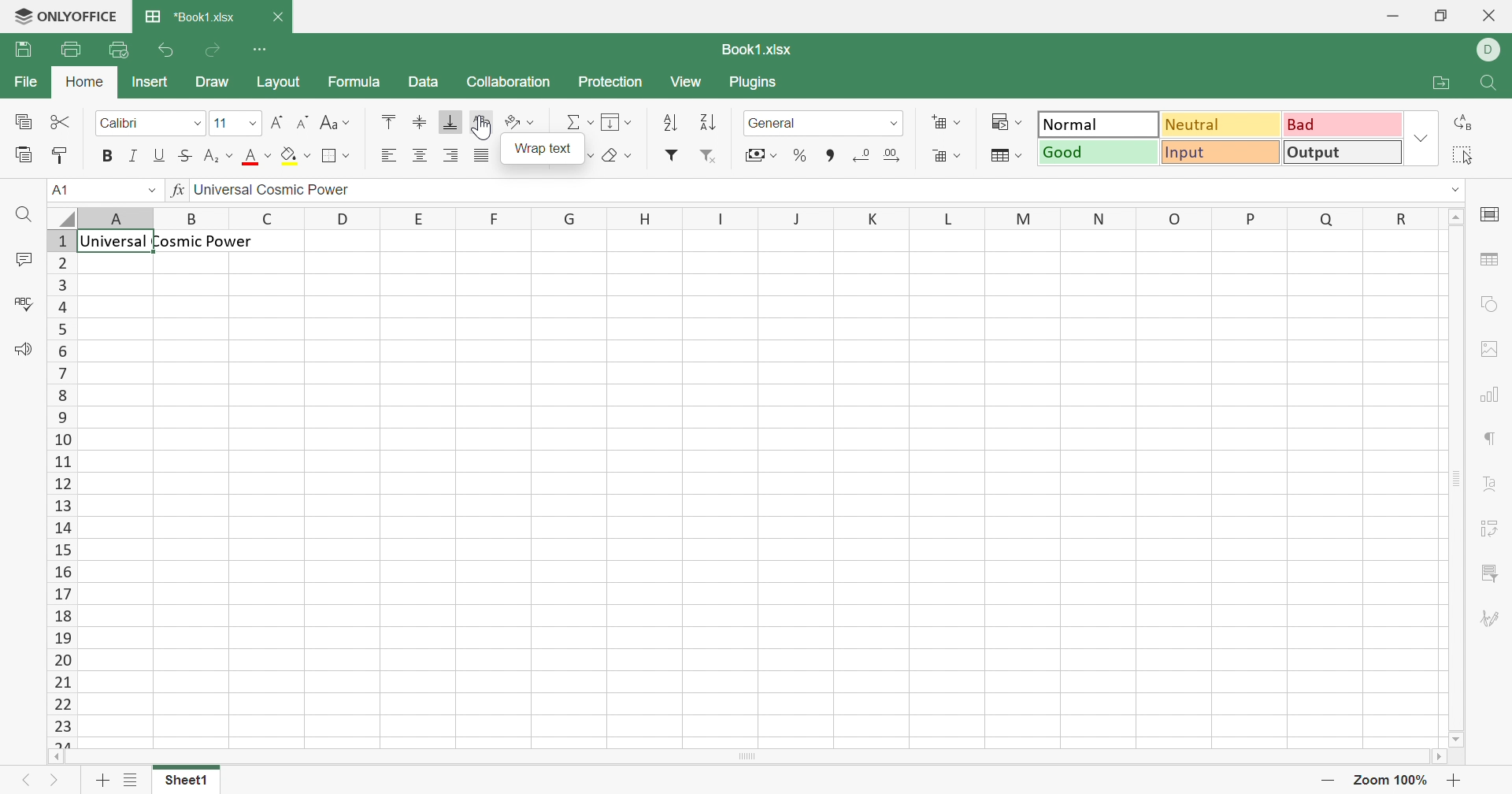 The width and height of the screenshot is (1512, 794). I want to click on image settings, so click(1494, 355).